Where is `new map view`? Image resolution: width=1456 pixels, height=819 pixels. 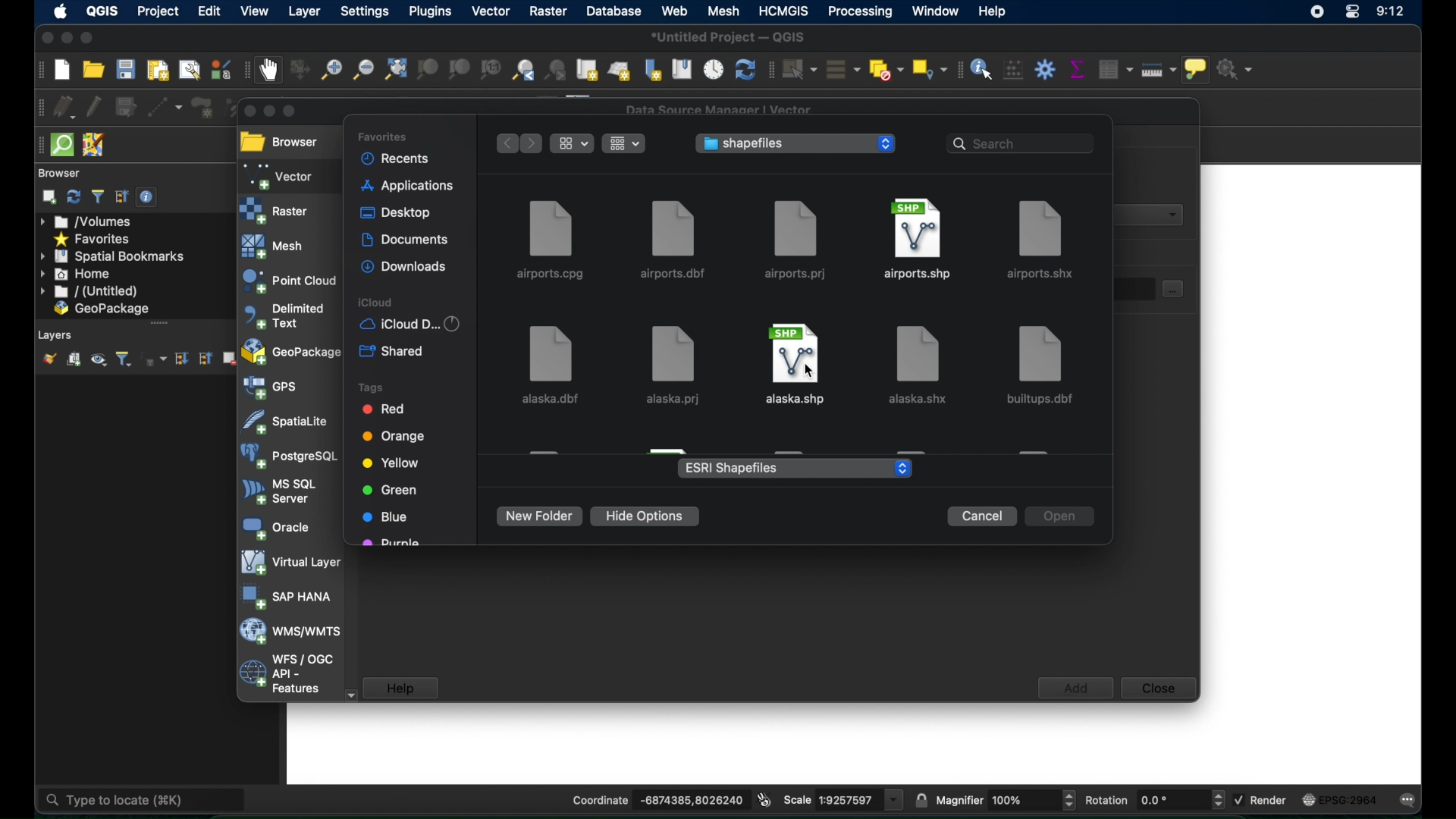
new map view is located at coordinates (588, 69).